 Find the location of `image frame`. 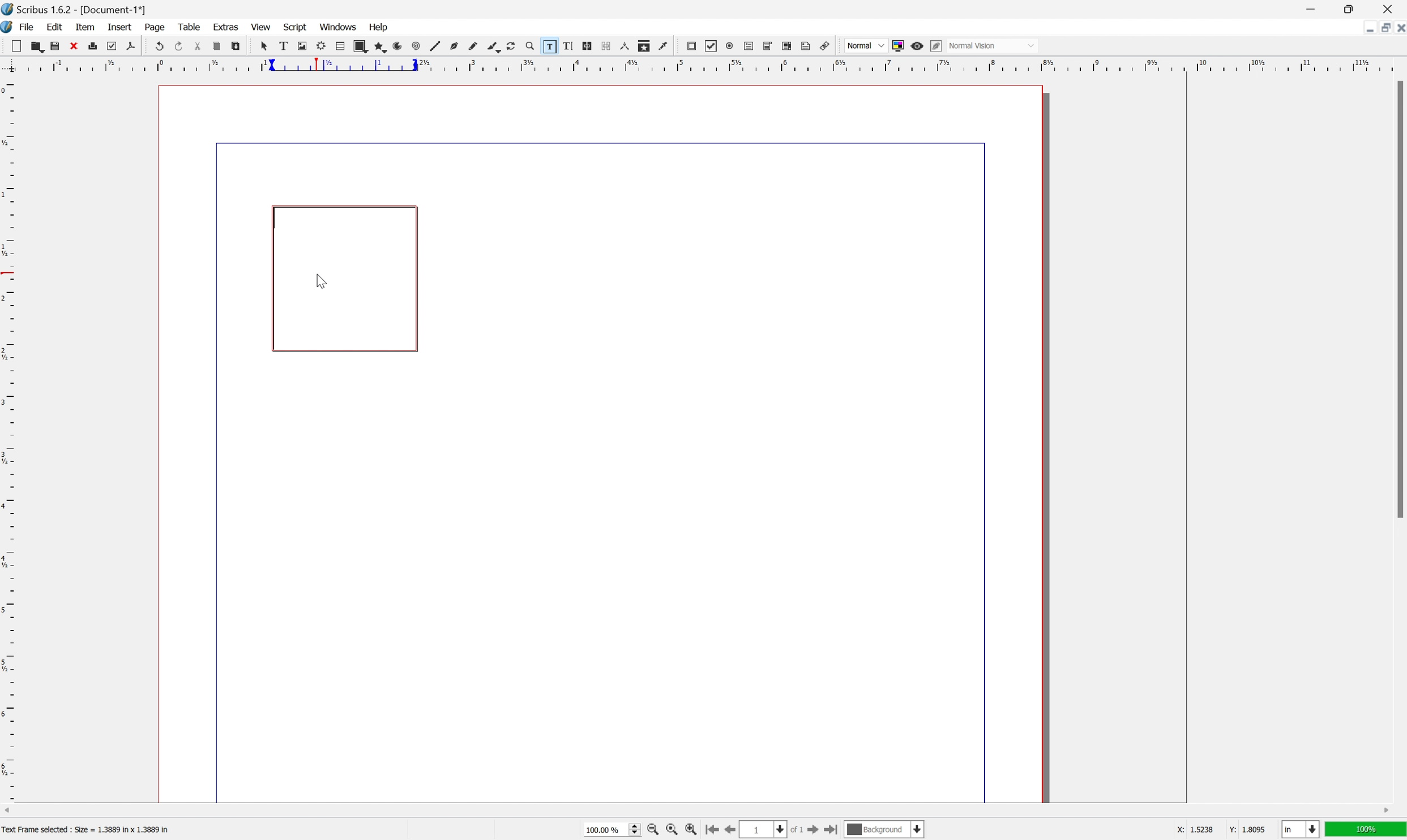

image frame is located at coordinates (301, 46).